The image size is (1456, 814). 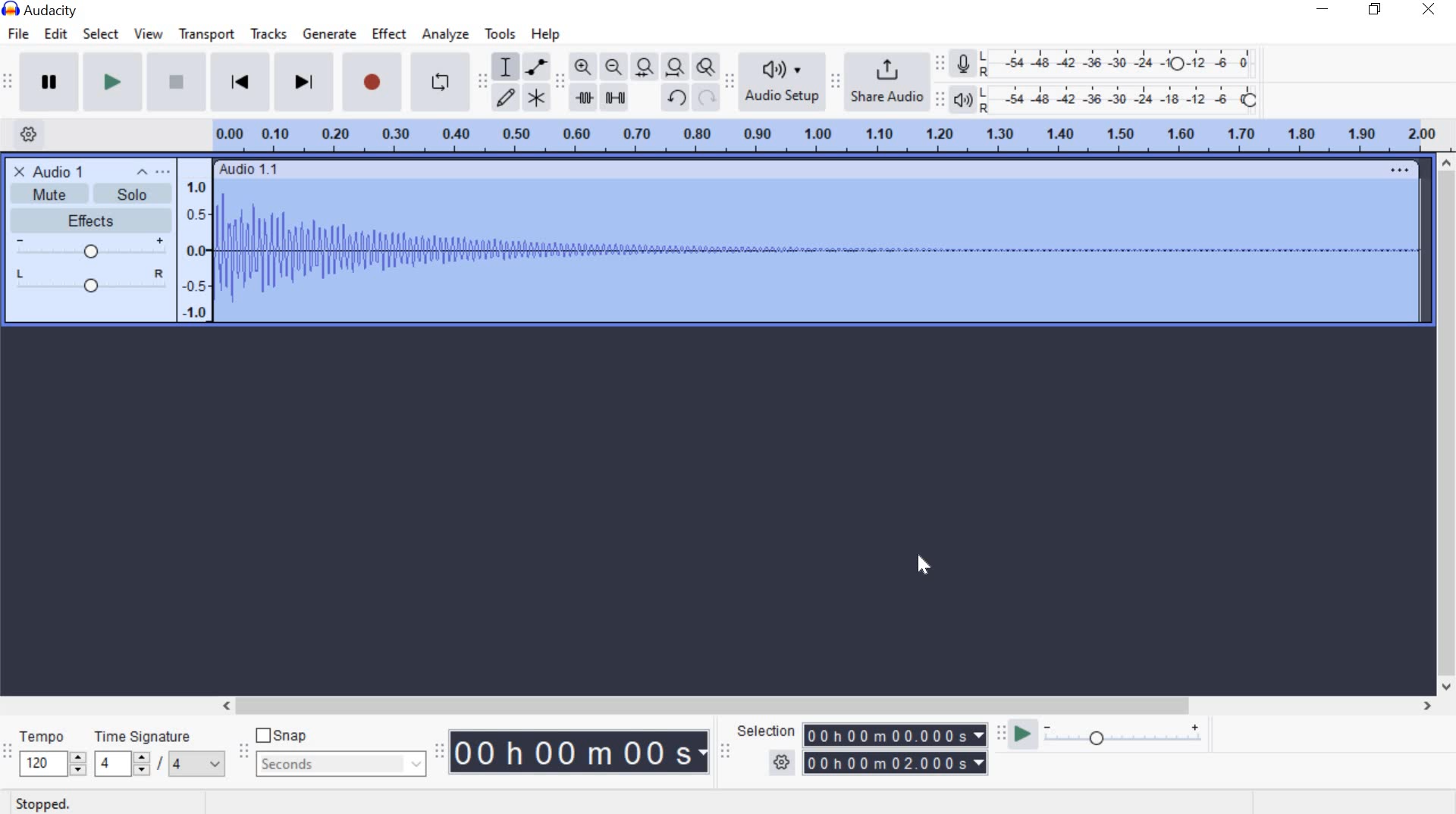 What do you see at coordinates (110, 81) in the screenshot?
I see `Play` at bounding box center [110, 81].